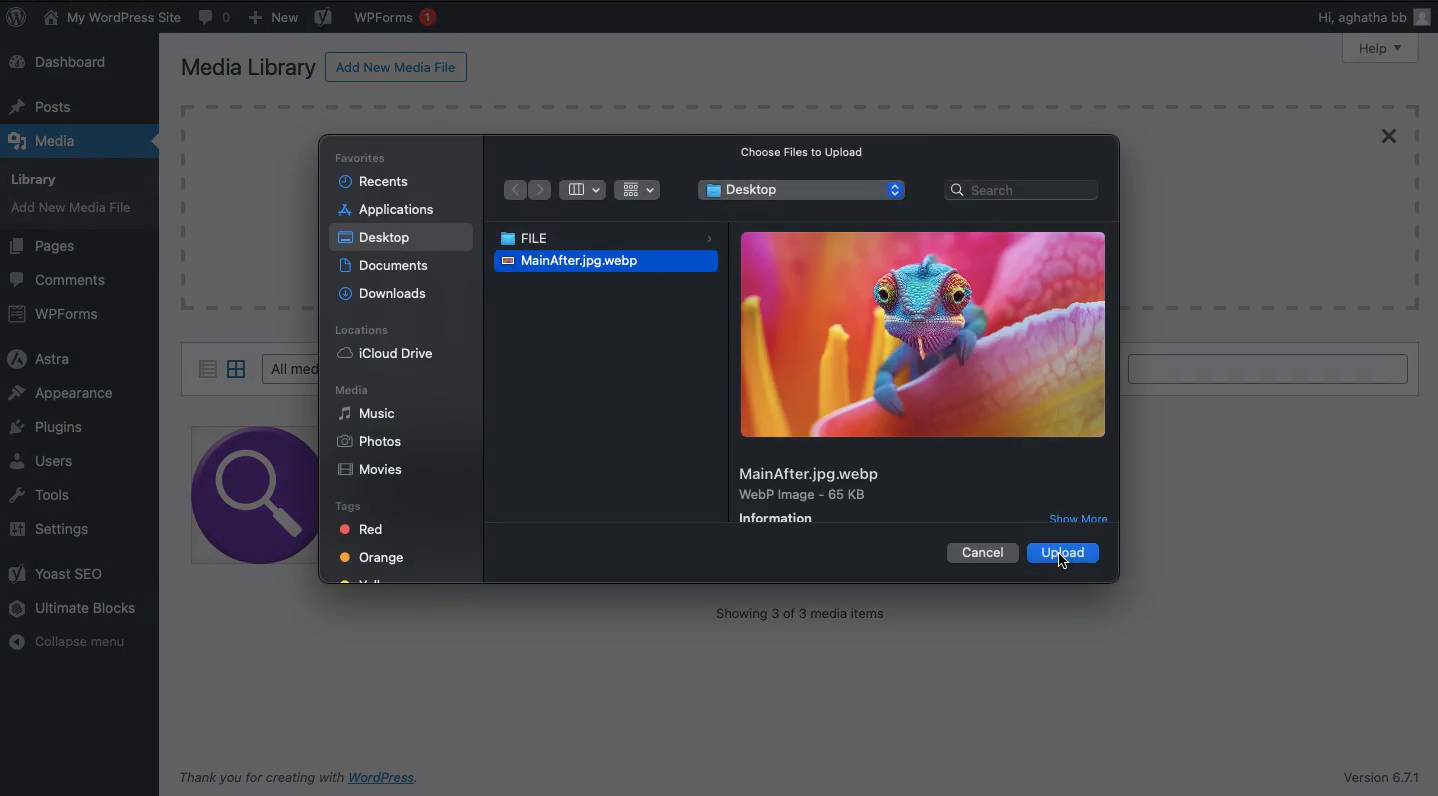  Describe the element at coordinates (112, 19) in the screenshot. I see `My WordPress Site` at that location.